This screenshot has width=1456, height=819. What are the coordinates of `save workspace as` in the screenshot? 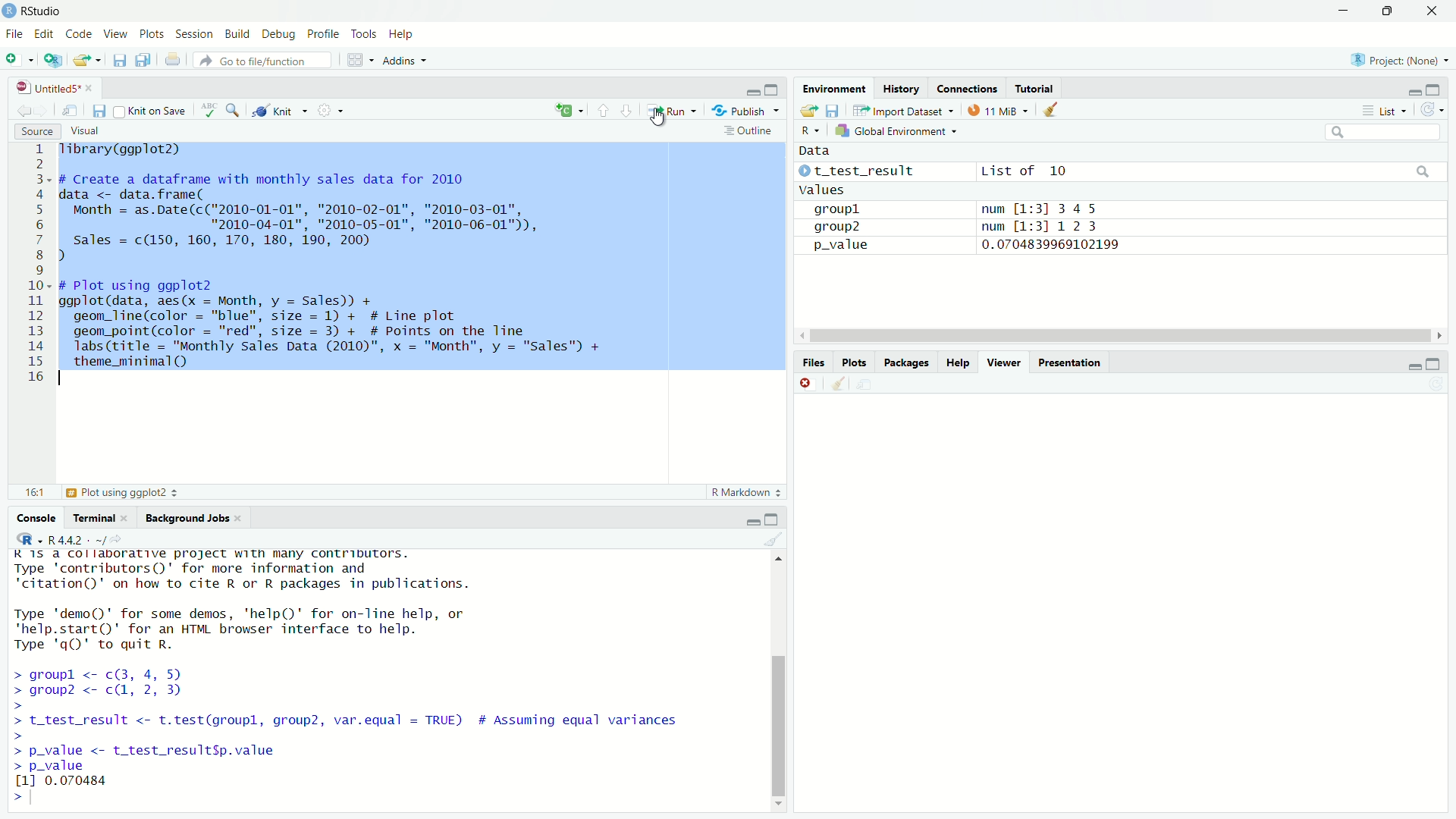 It's located at (833, 111).